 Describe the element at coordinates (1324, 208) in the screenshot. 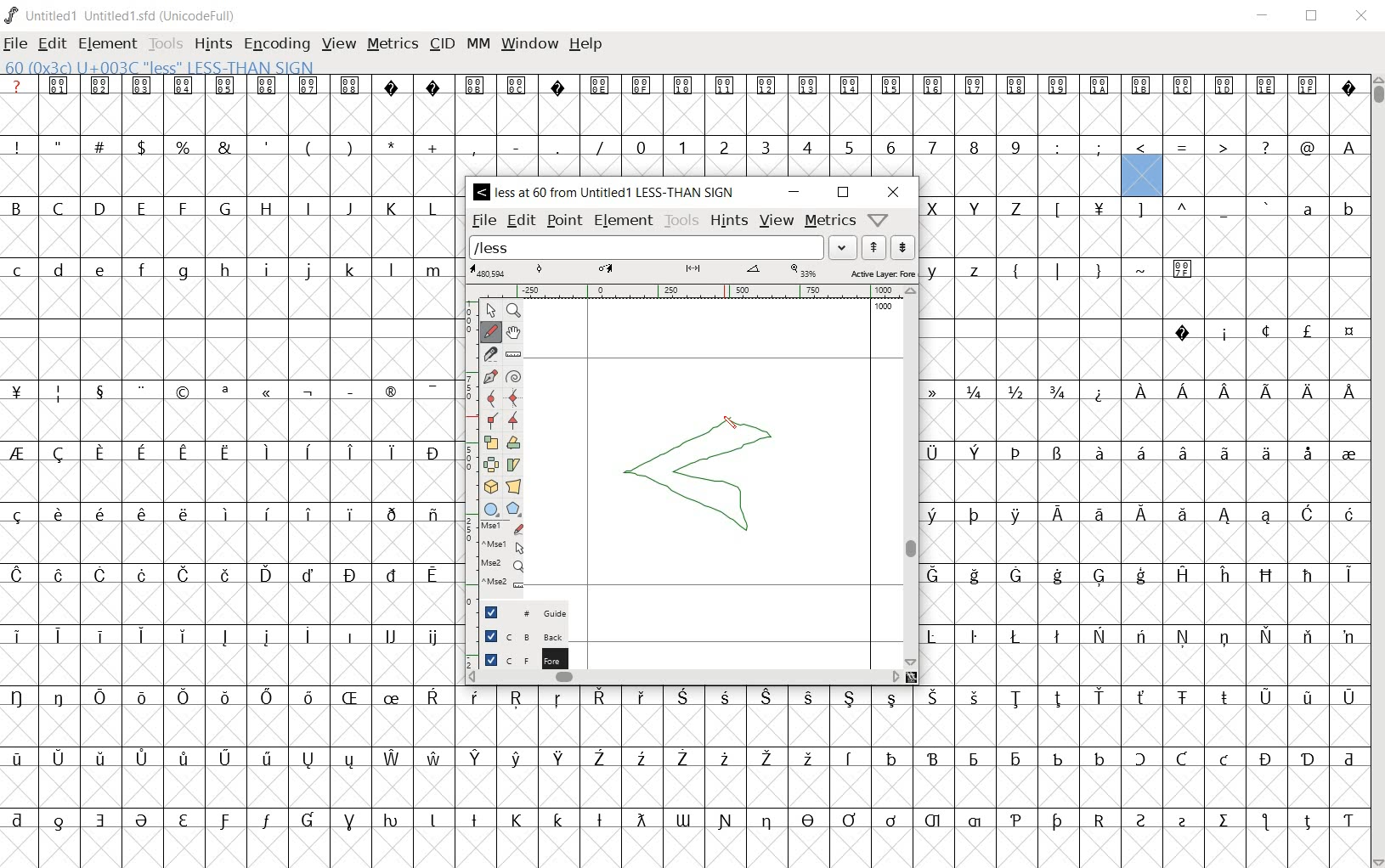

I see `small letters a b` at that location.